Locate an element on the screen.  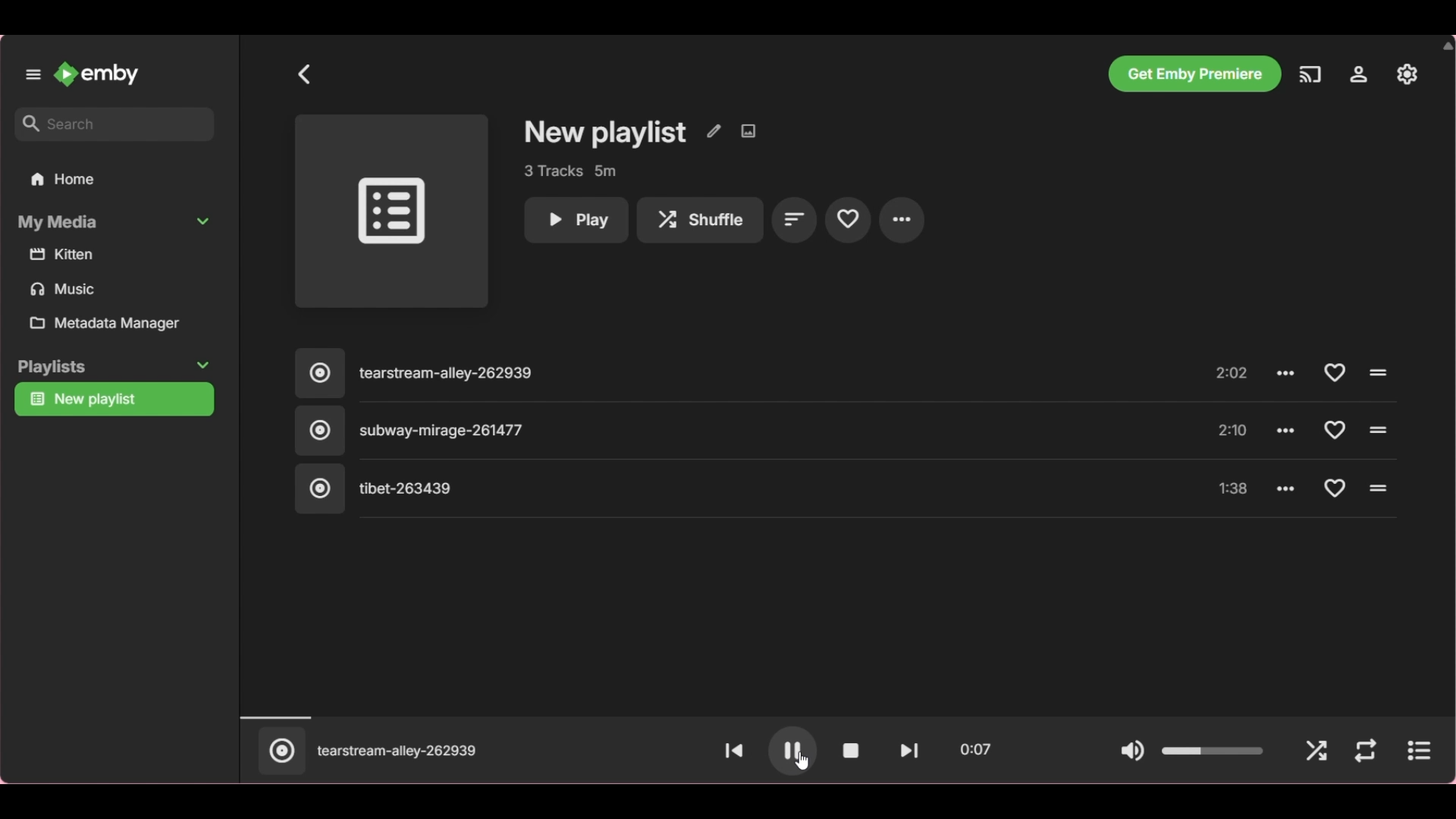
Edit metadata is located at coordinates (714, 131).